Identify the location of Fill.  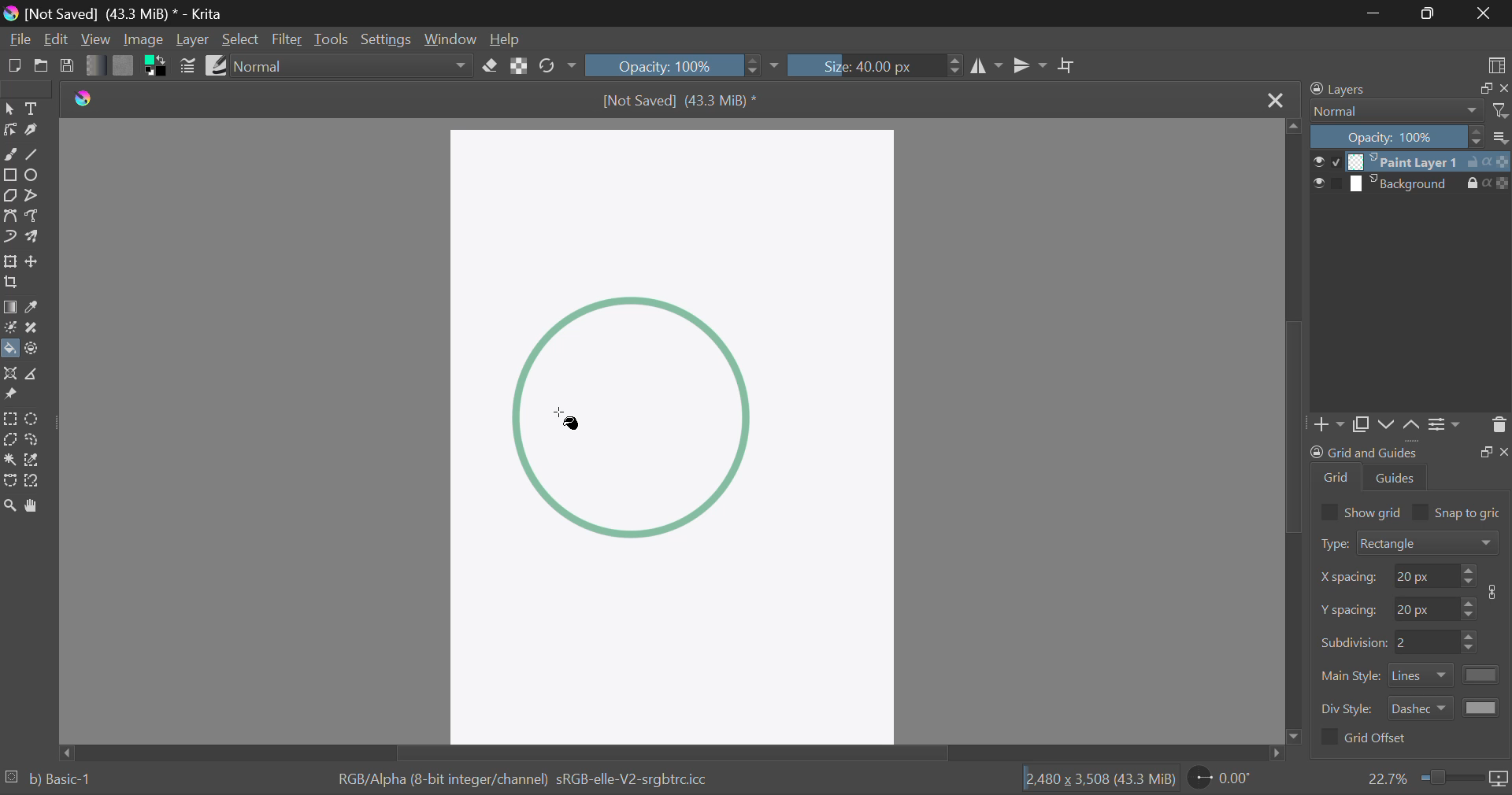
(9, 349).